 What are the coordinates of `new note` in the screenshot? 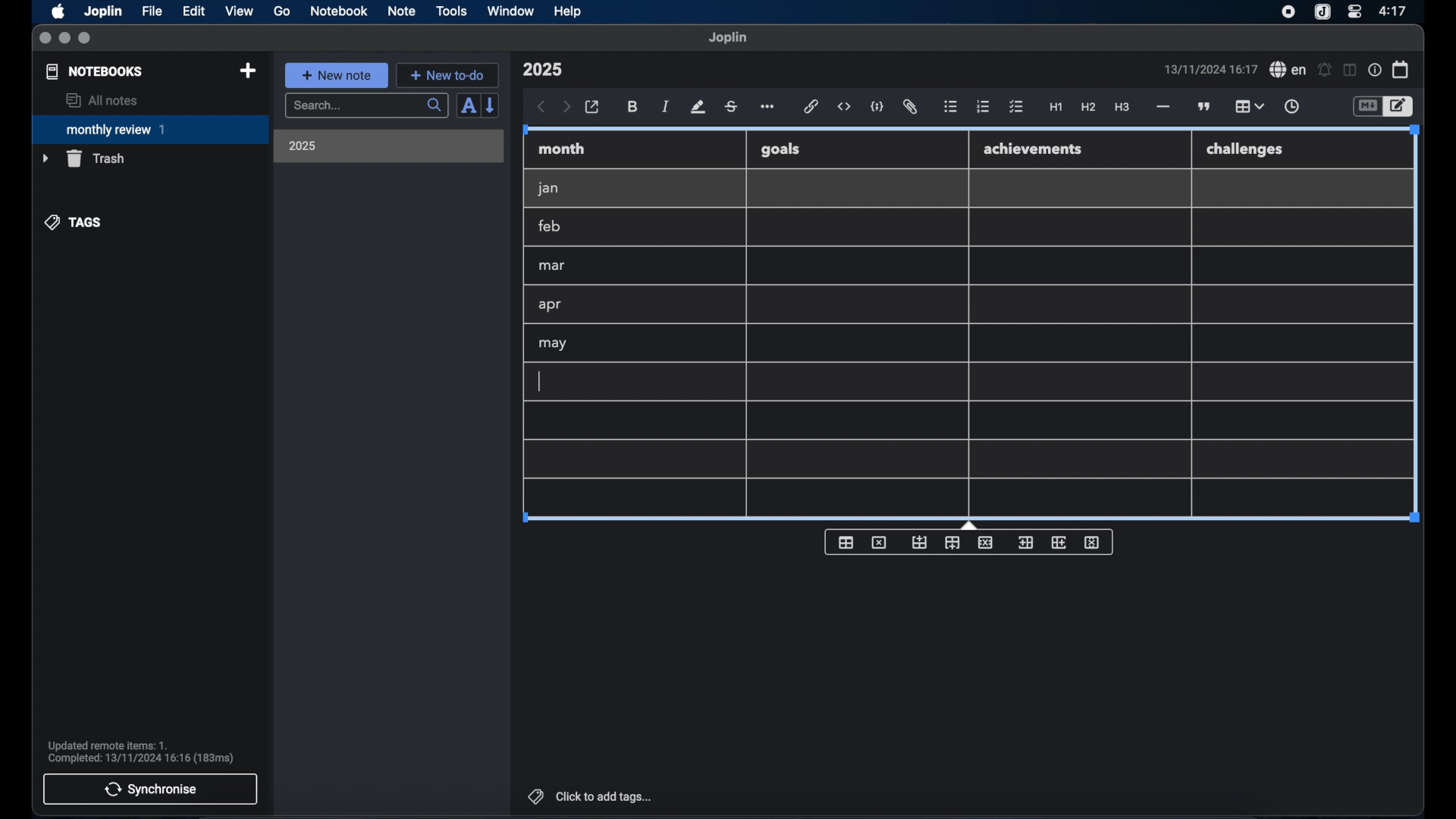 It's located at (336, 75).